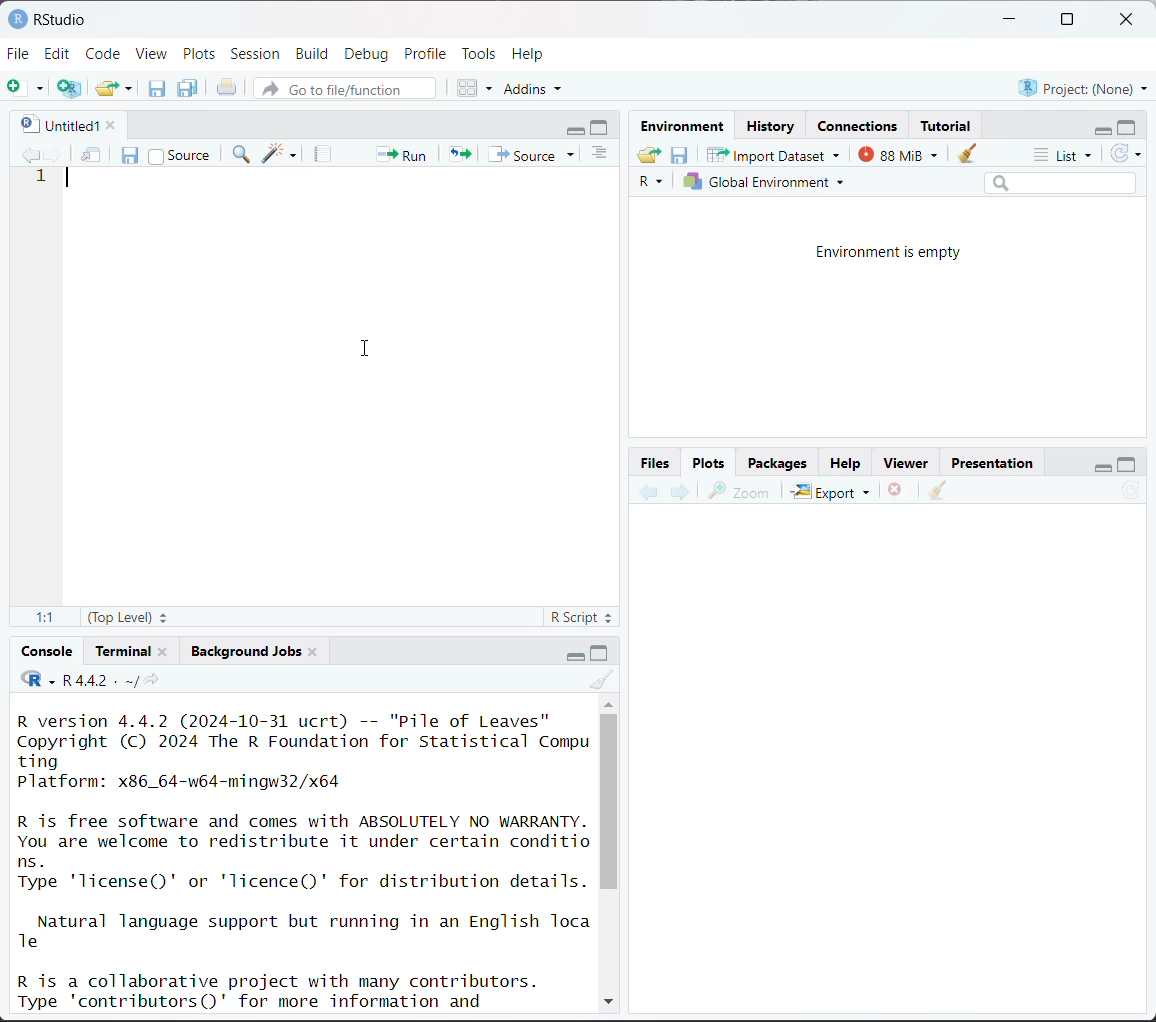 The height and width of the screenshot is (1022, 1156). What do you see at coordinates (860, 126) in the screenshot?
I see `Connections` at bounding box center [860, 126].